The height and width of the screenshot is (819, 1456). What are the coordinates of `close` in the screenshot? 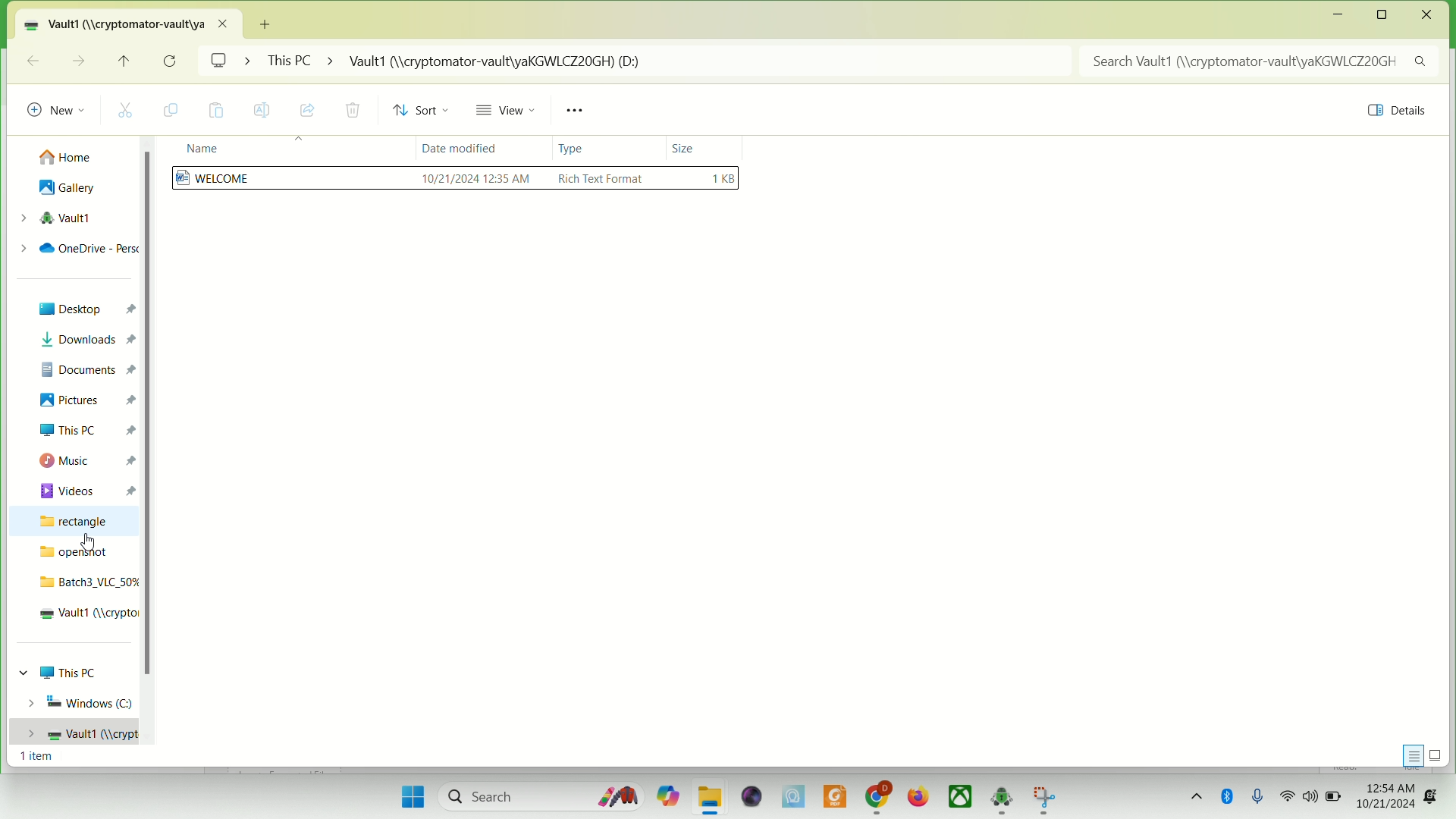 It's located at (1427, 15).